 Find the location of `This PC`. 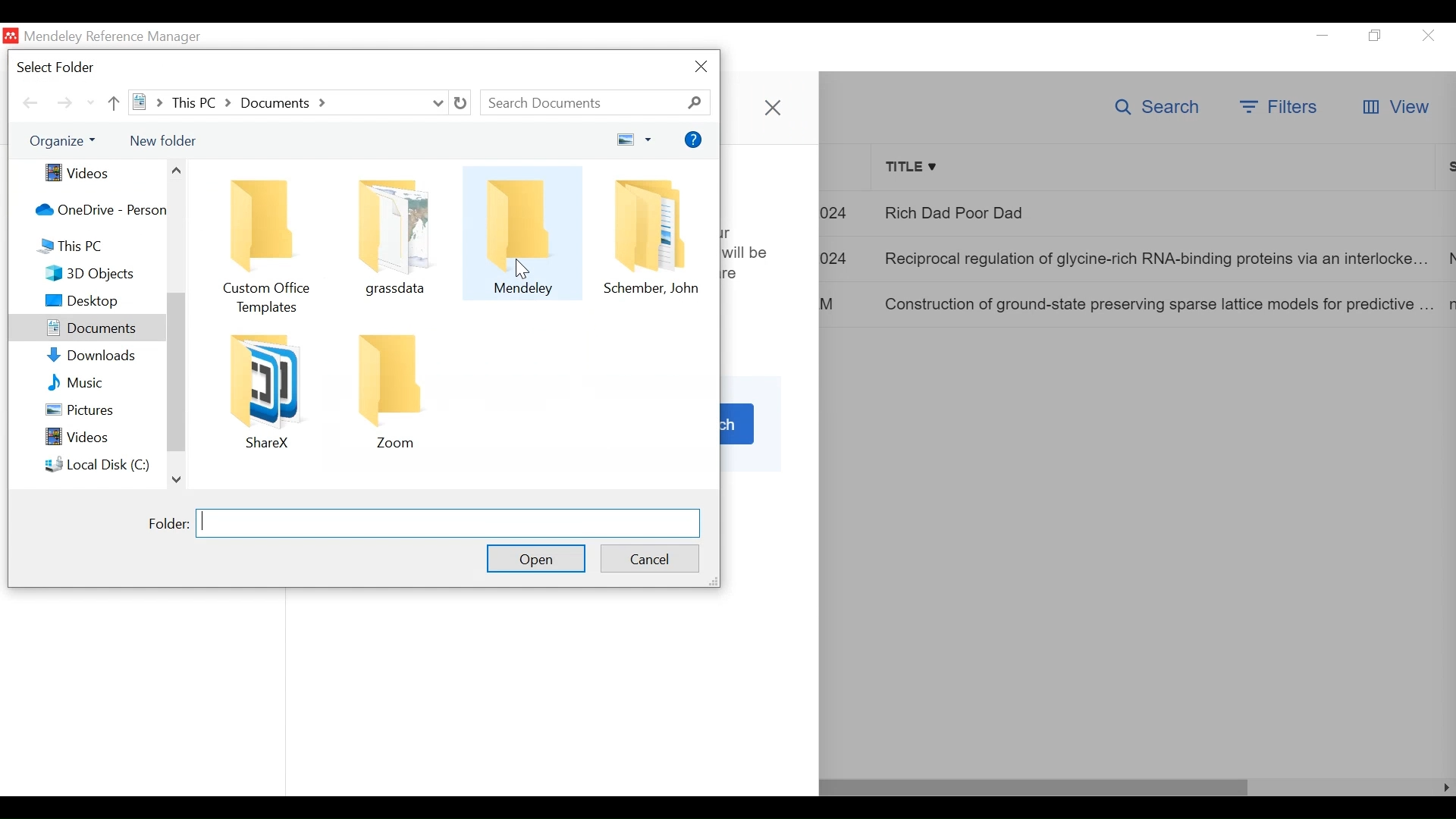

This PC is located at coordinates (97, 245).